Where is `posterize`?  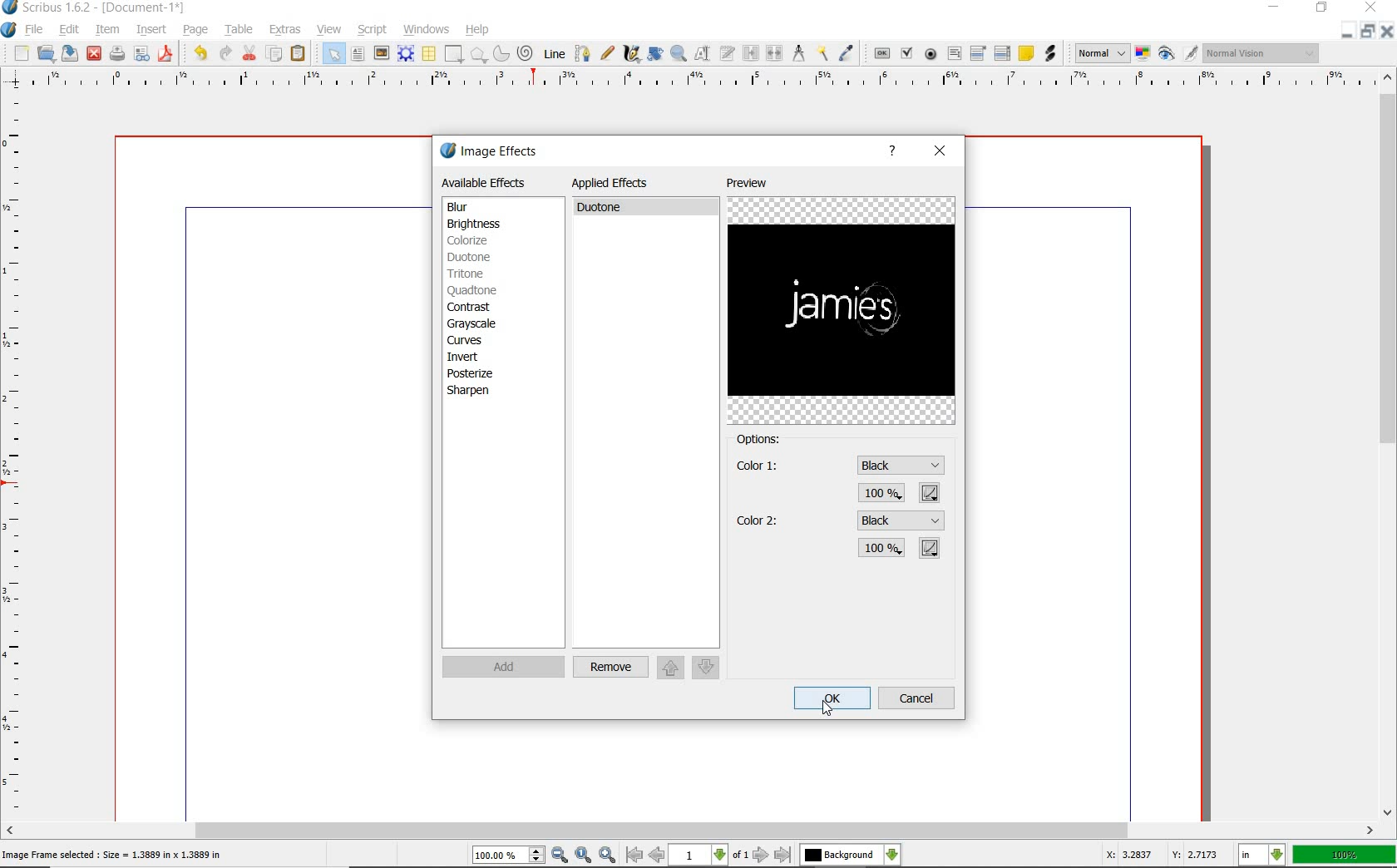
posterize is located at coordinates (471, 372).